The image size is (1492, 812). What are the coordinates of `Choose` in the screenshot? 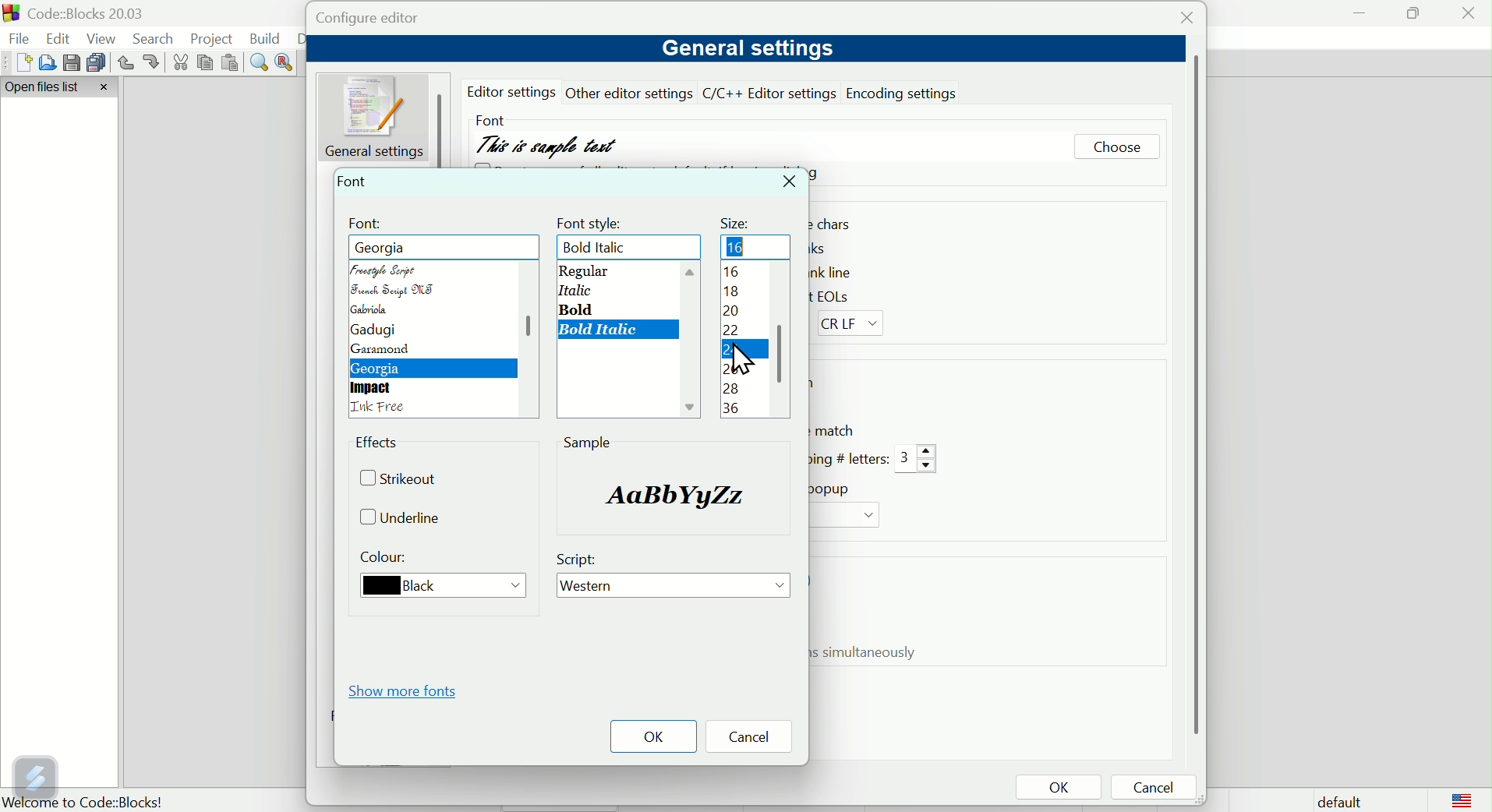 It's located at (1116, 149).